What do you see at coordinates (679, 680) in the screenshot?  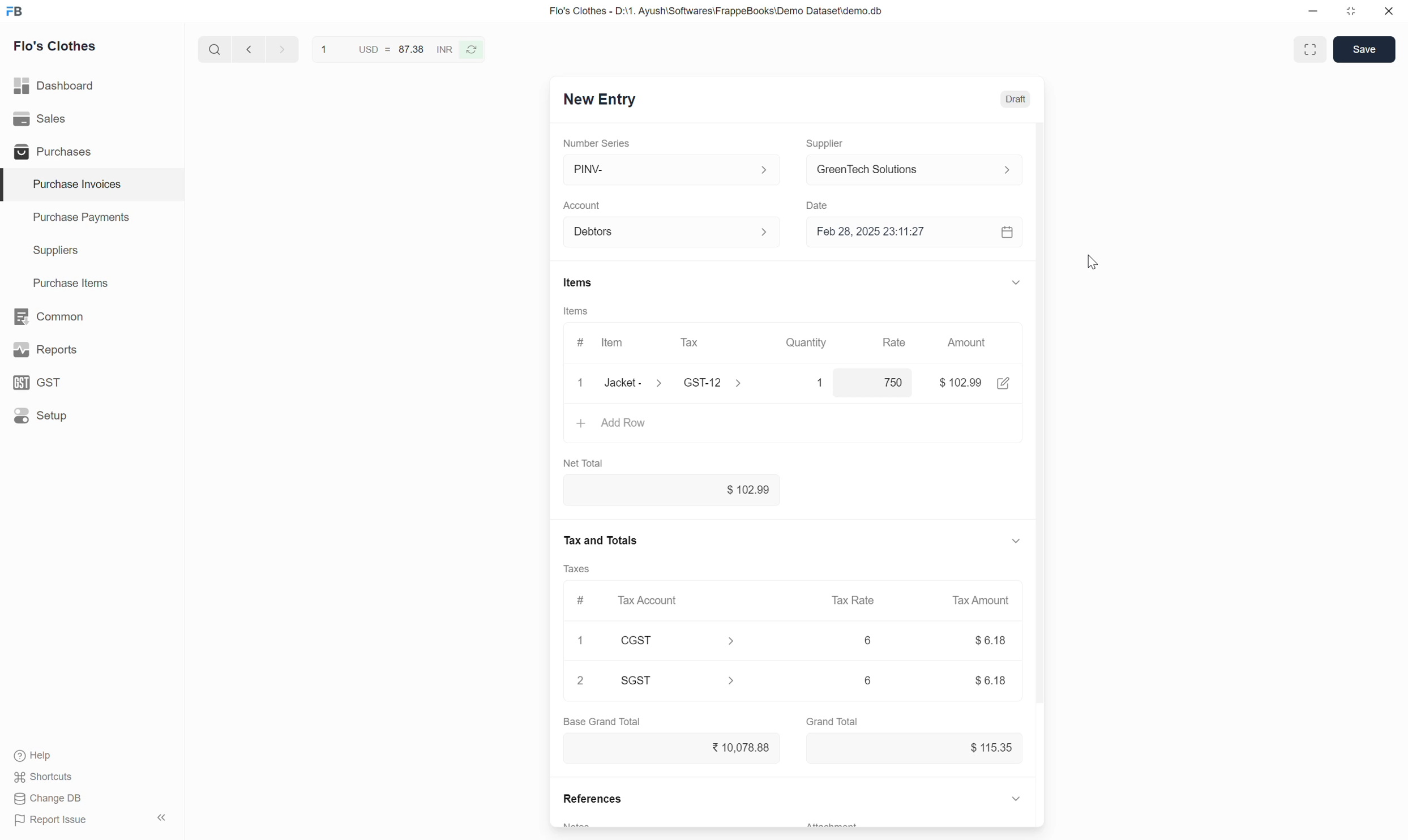 I see `SGST` at bounding box center [679, 680].